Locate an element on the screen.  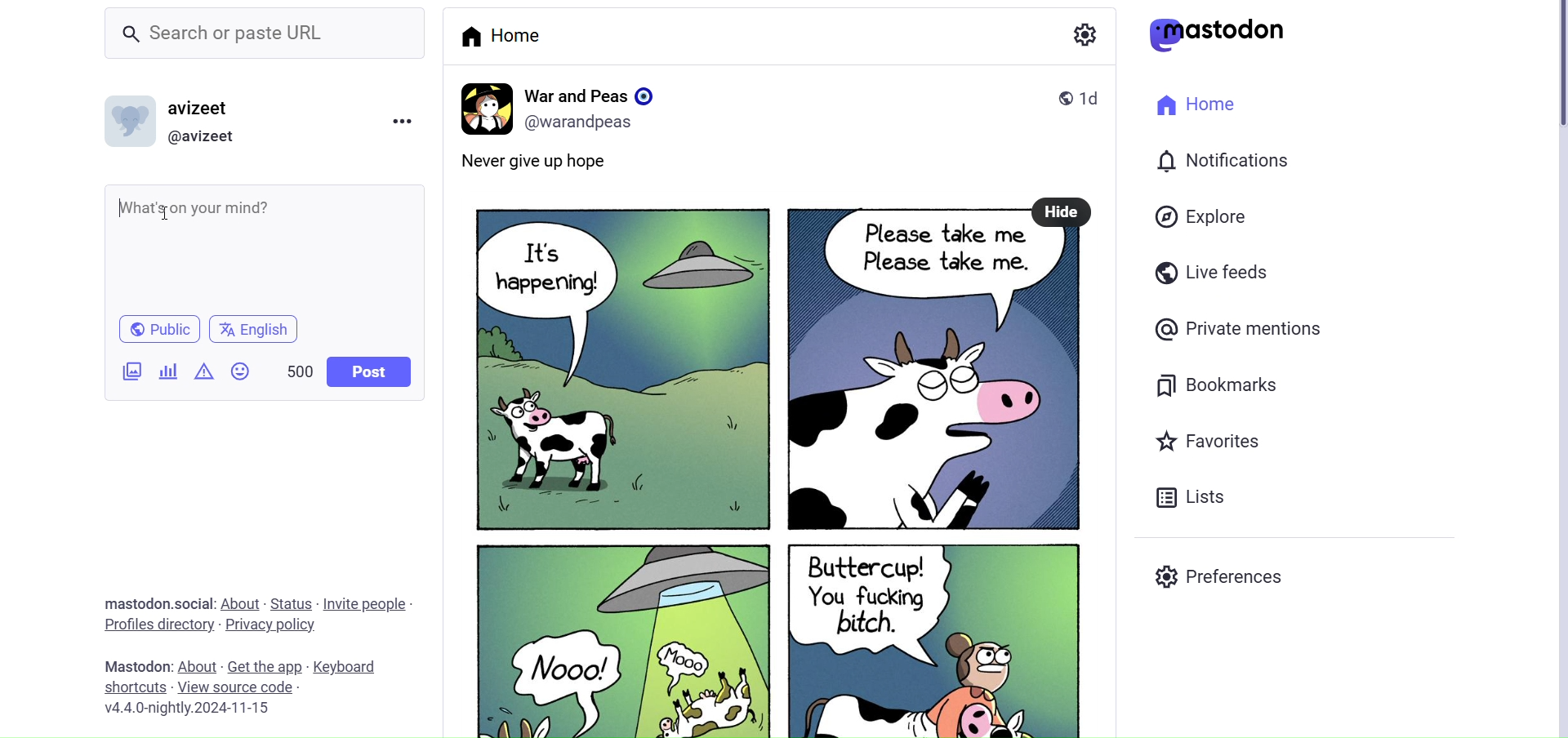
mastodon is located at coordinates (135, 665).